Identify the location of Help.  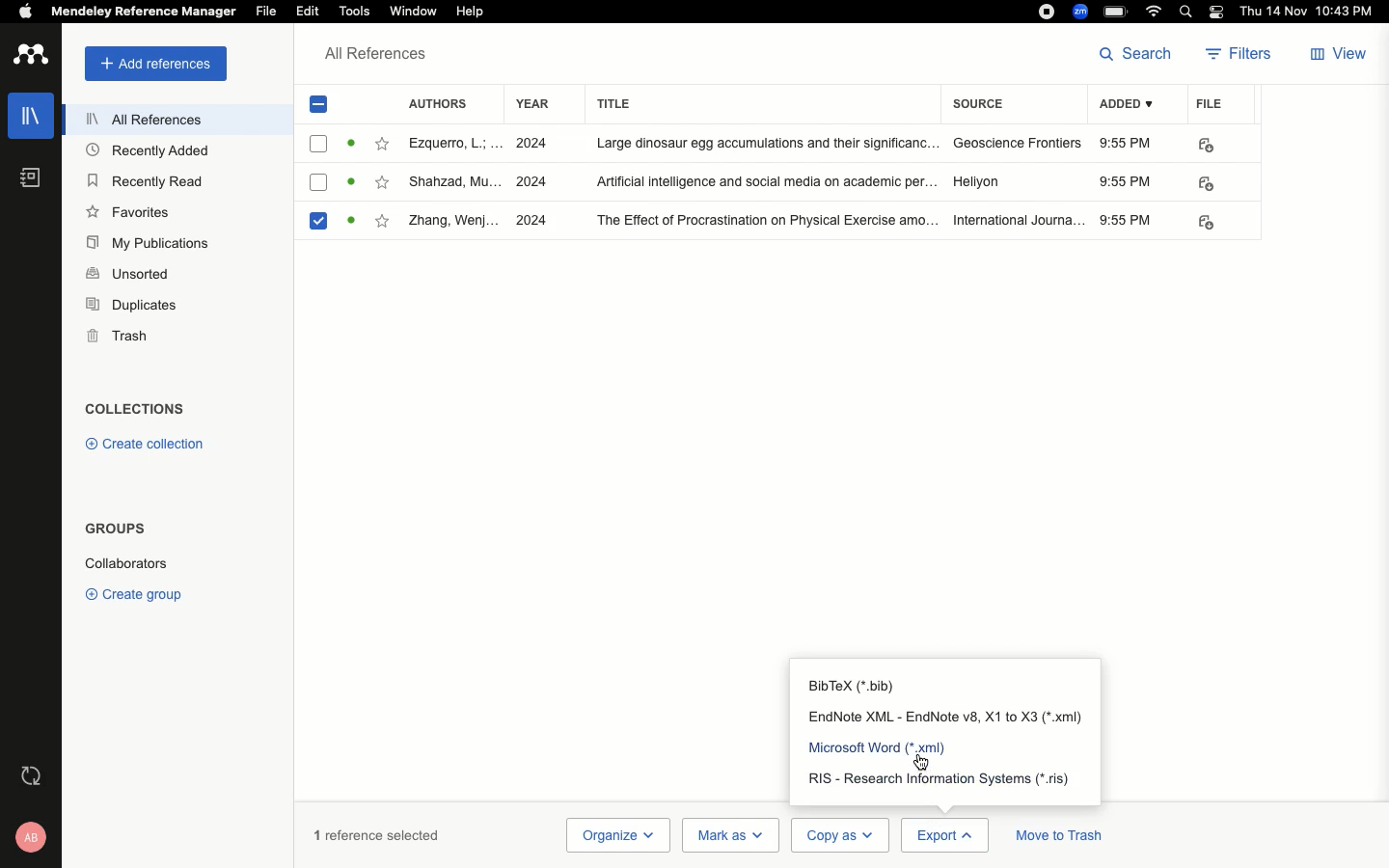
(479, 11).